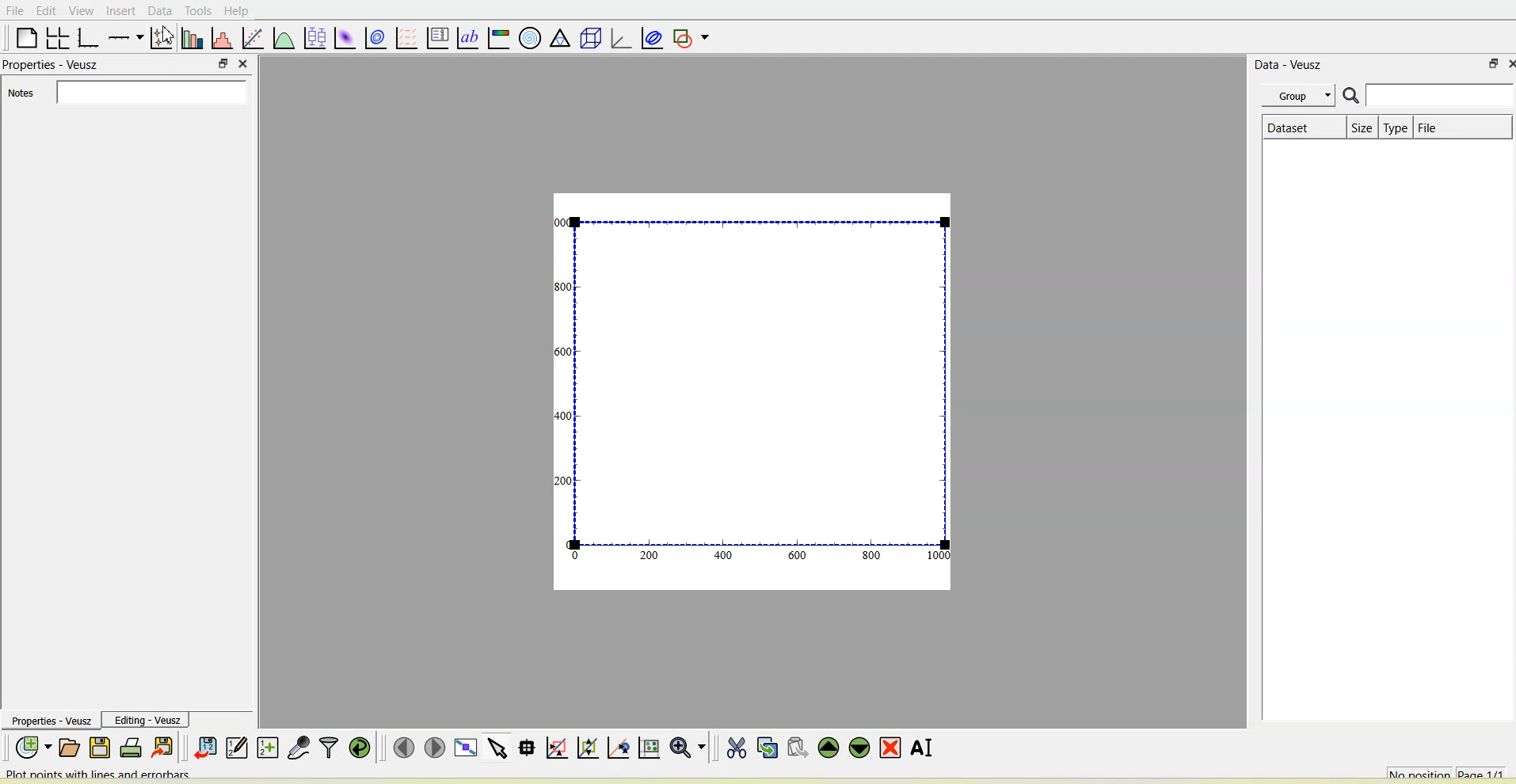  Describe the element at coordinates (560, 38) in the screenshot. I see `ternary graph` at that location.